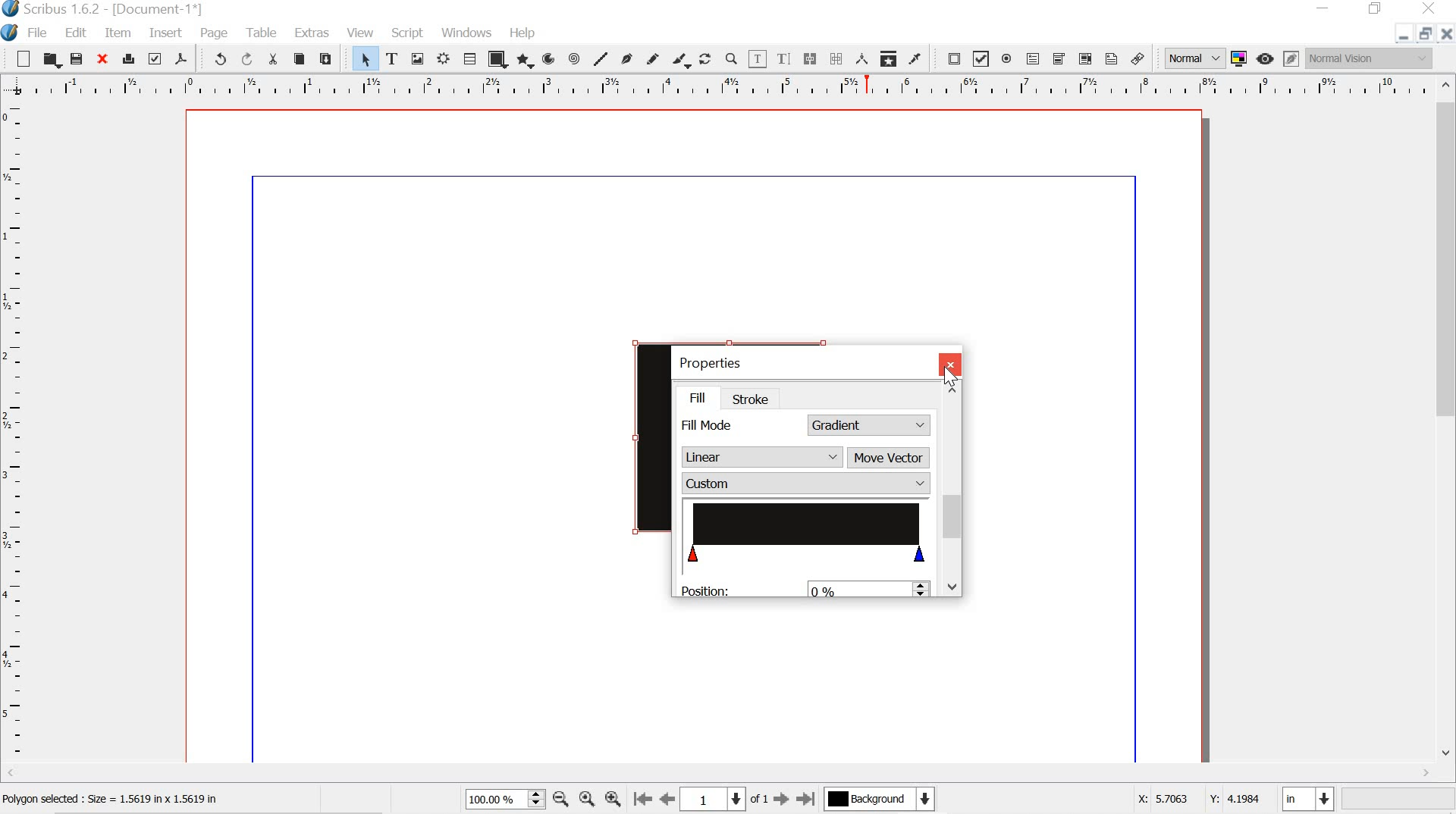 The width and height of the screenshot is (1456, 814). Describe the element at coordinates (1238, 59) in the screenshot. I see `toggle color management system` at that location.